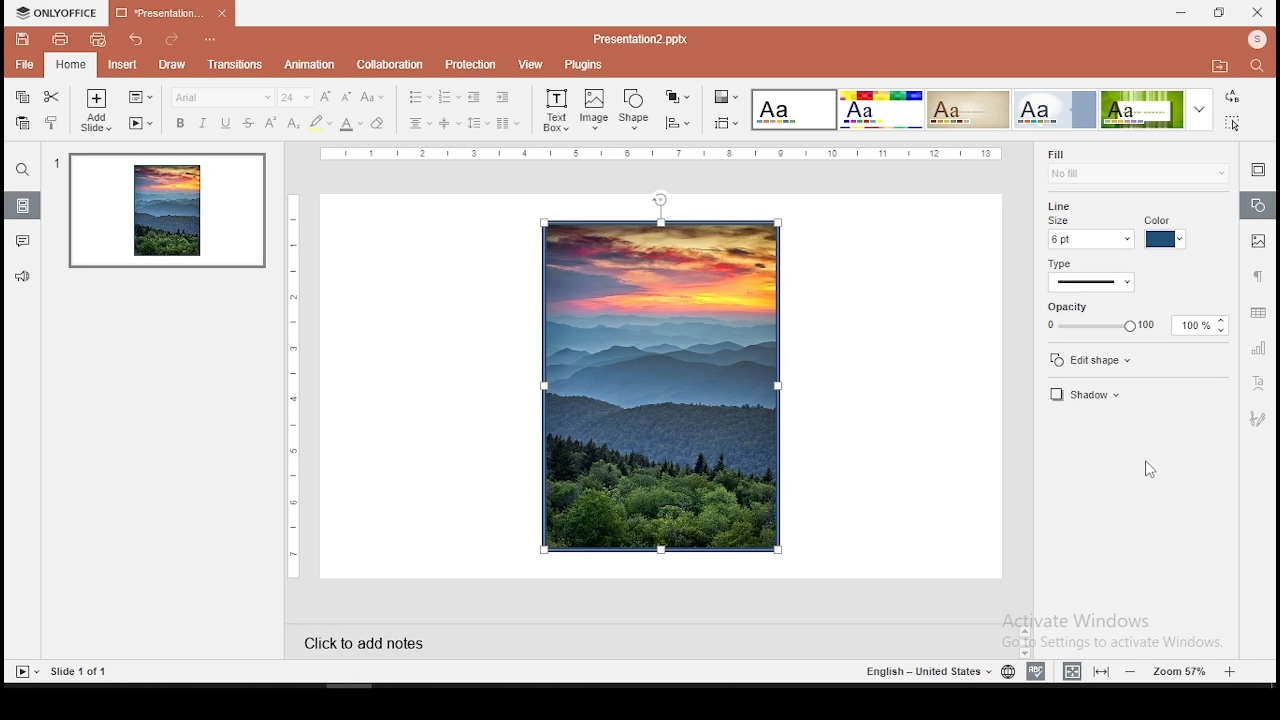 The image size is (1280, 720). What do you see at coordinates (139, 97) in the screenshot?
I see `change slide layout` at bounding box center [139, 97].